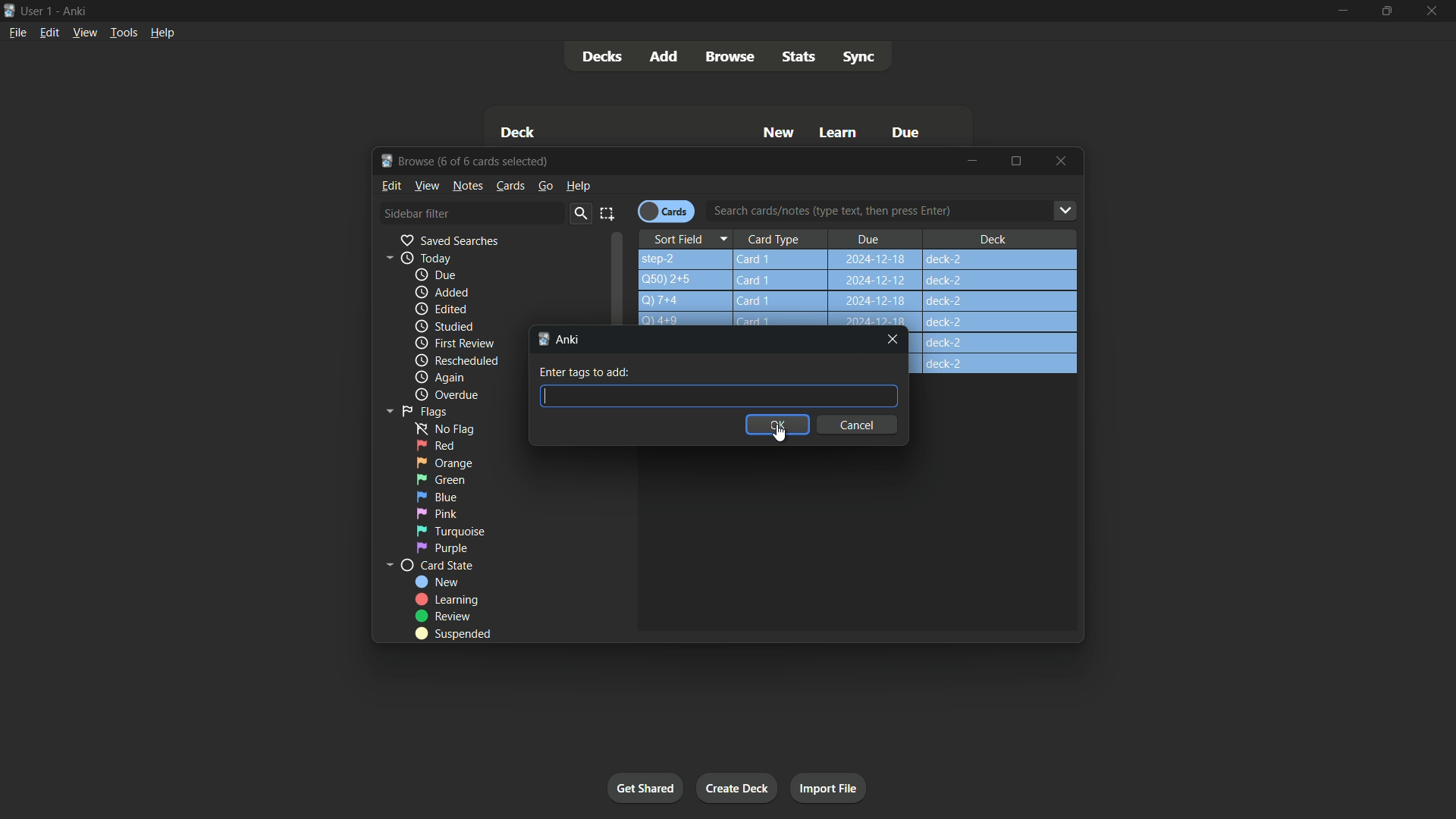 Image resolution: width=1456 pixels, height=819 pixels. What do you see at coordinates (619, 281) in the screenshot?
I see `Scroll bar` at bounding box center [619, 281].